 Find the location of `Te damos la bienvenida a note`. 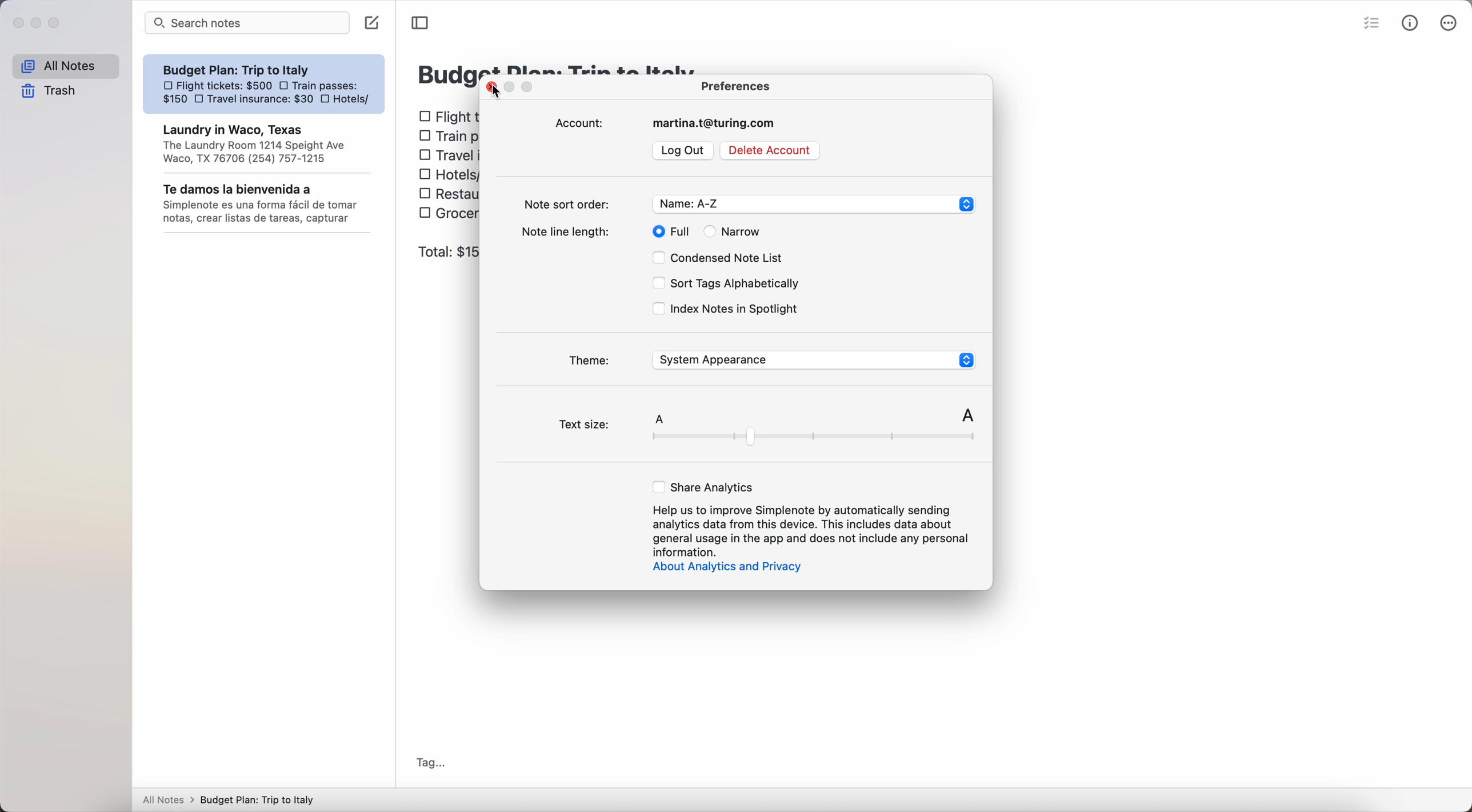

Te damos la bienvenida a note is located at coordinates (266, 204).